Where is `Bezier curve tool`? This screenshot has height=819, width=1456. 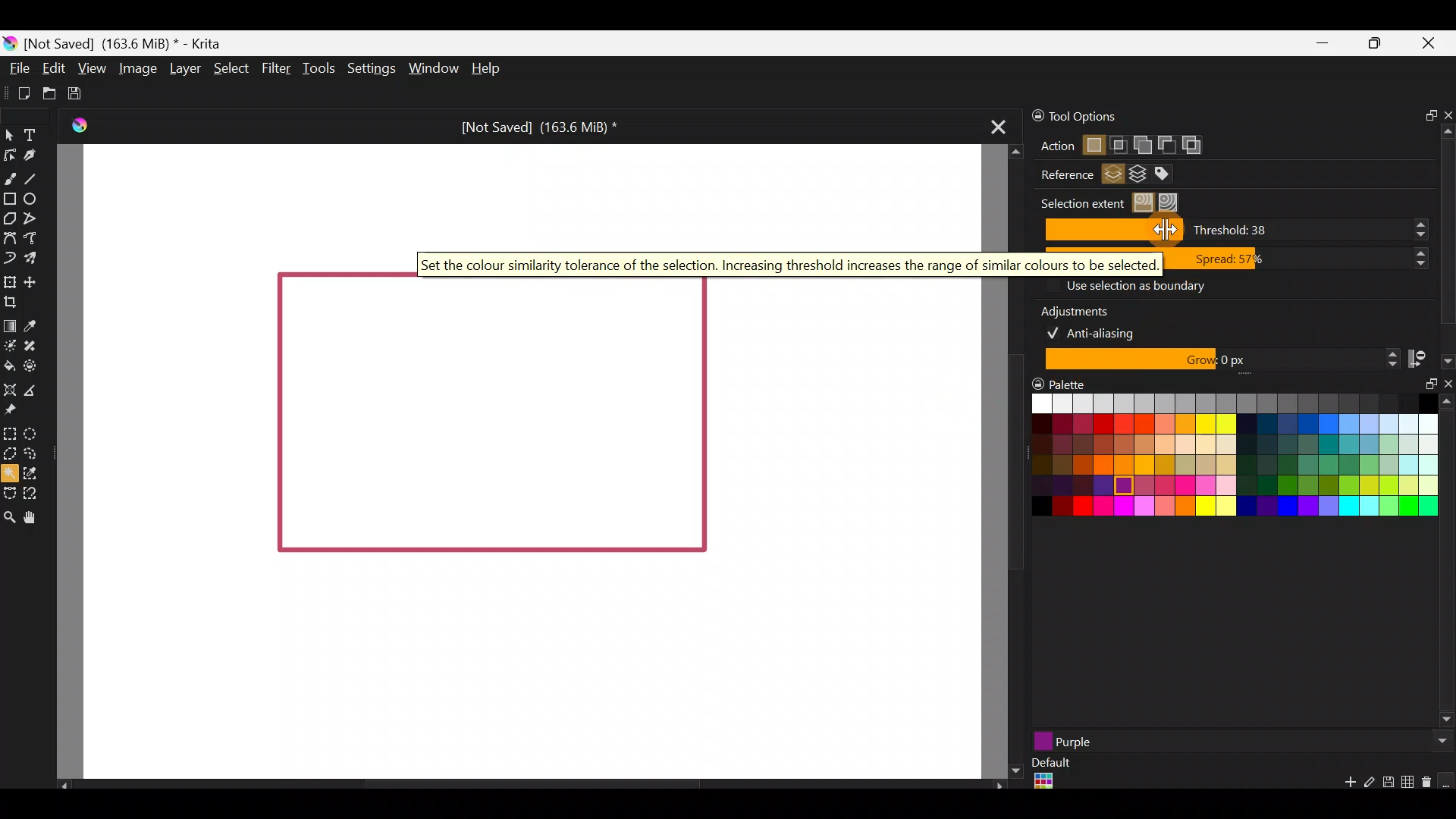 Bezier curve tool is located at coordinates (9, 236).